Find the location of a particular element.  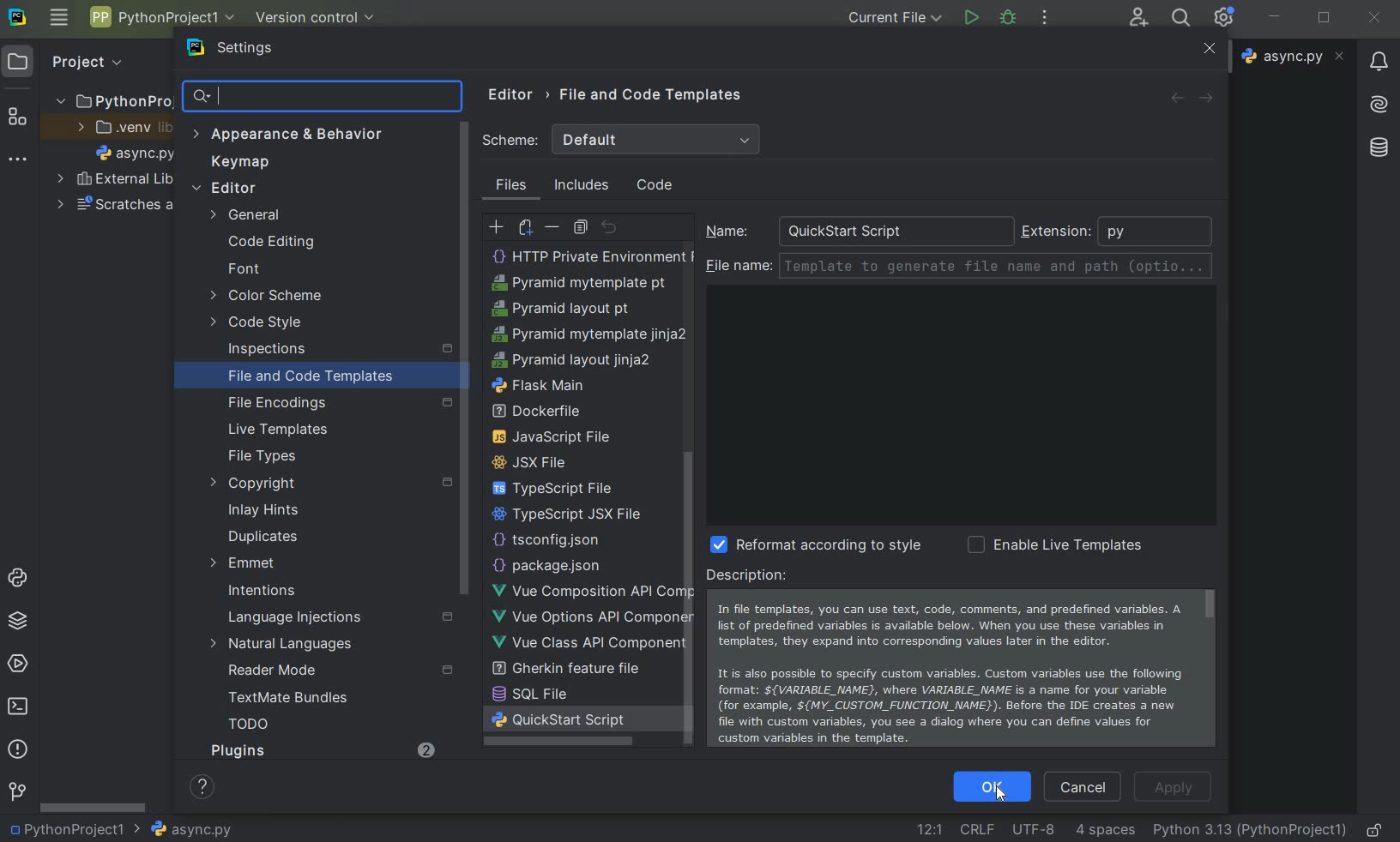

terminal is located at coordinates (19, 705).